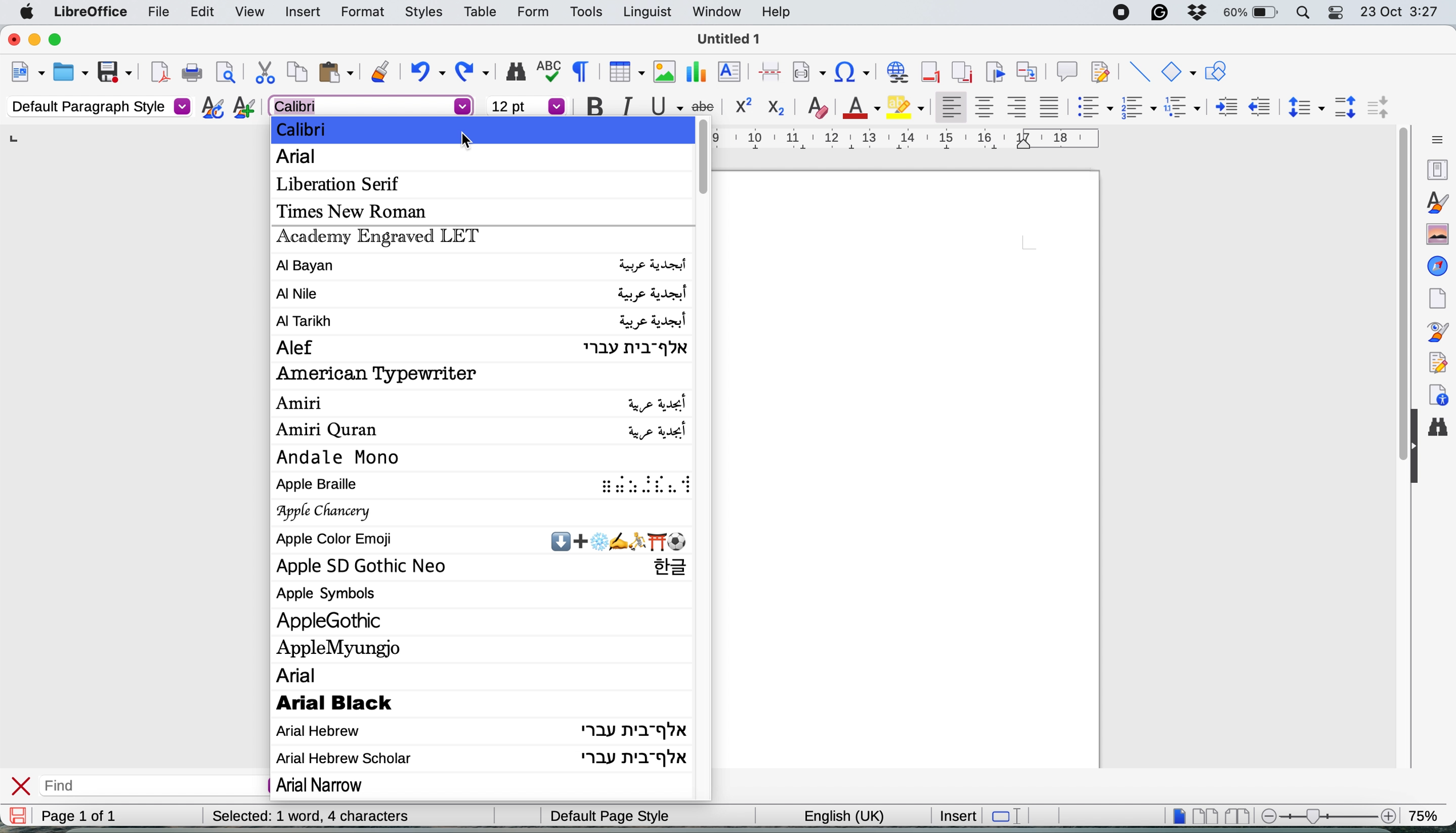 The image size is (1456, 833). I want to click on set line spacing, so click(1304, 107).